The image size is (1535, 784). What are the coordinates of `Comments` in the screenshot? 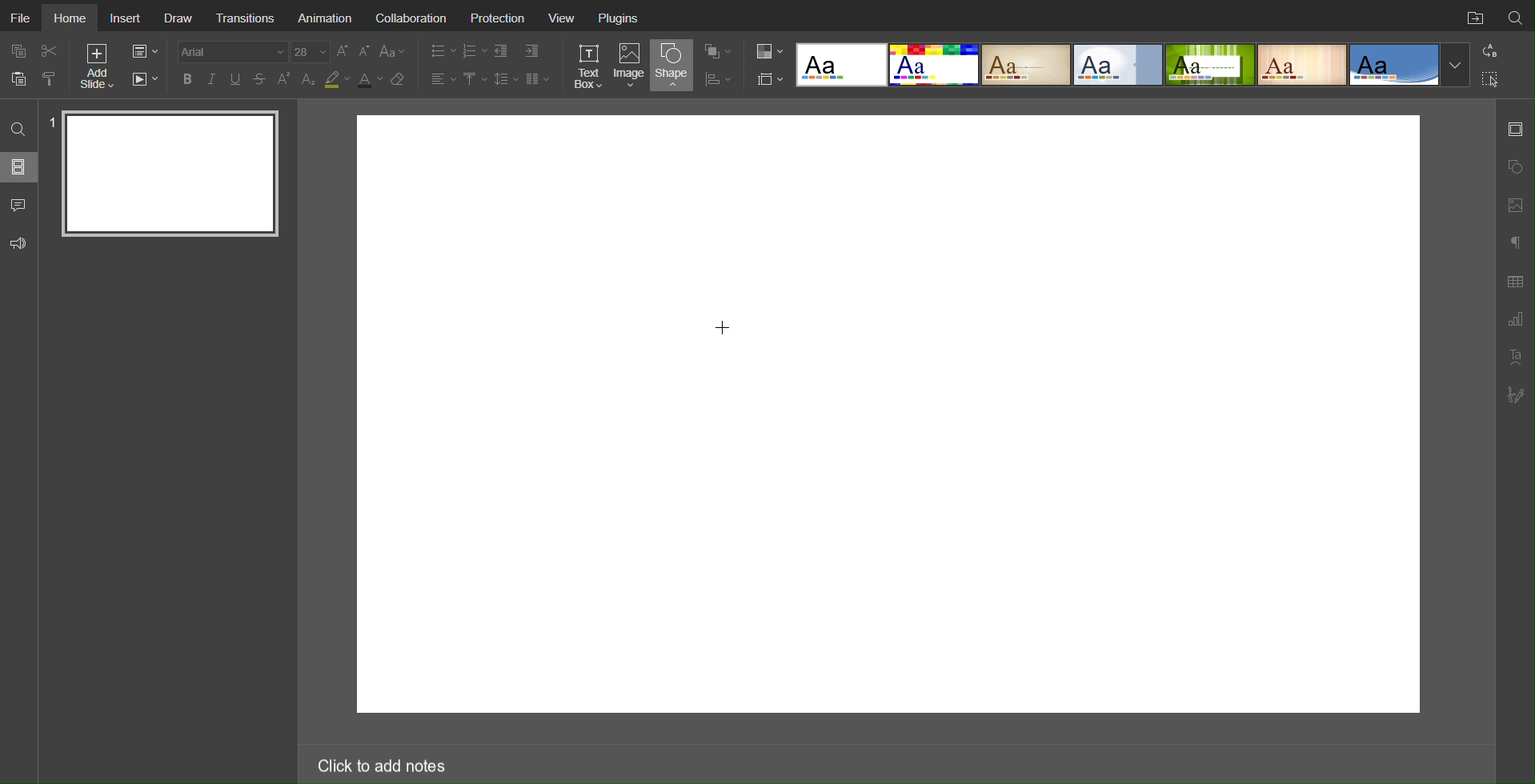 It's located at (20, 205).